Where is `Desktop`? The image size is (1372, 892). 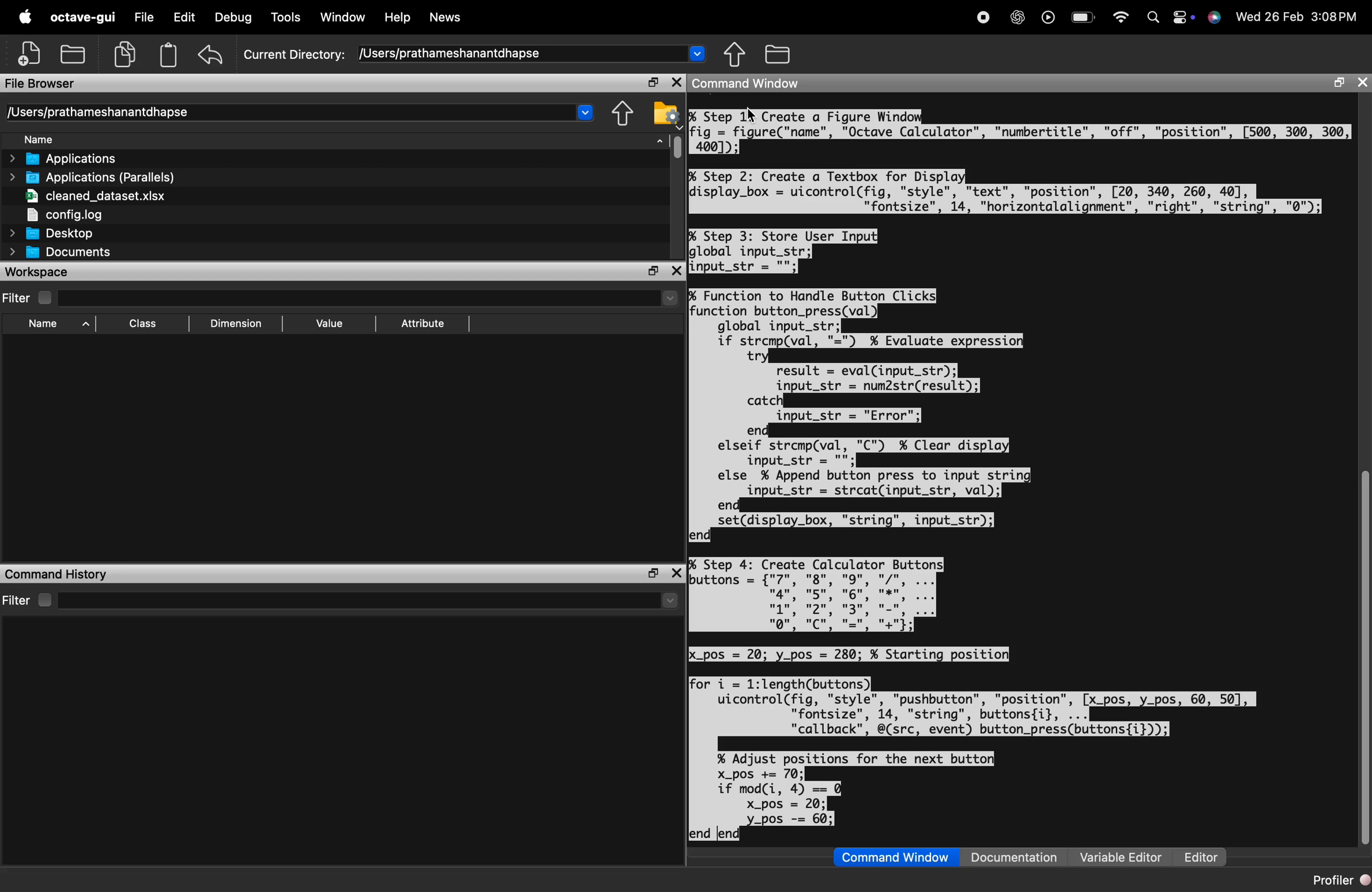 Desktop is located at coordinates (77, 234).